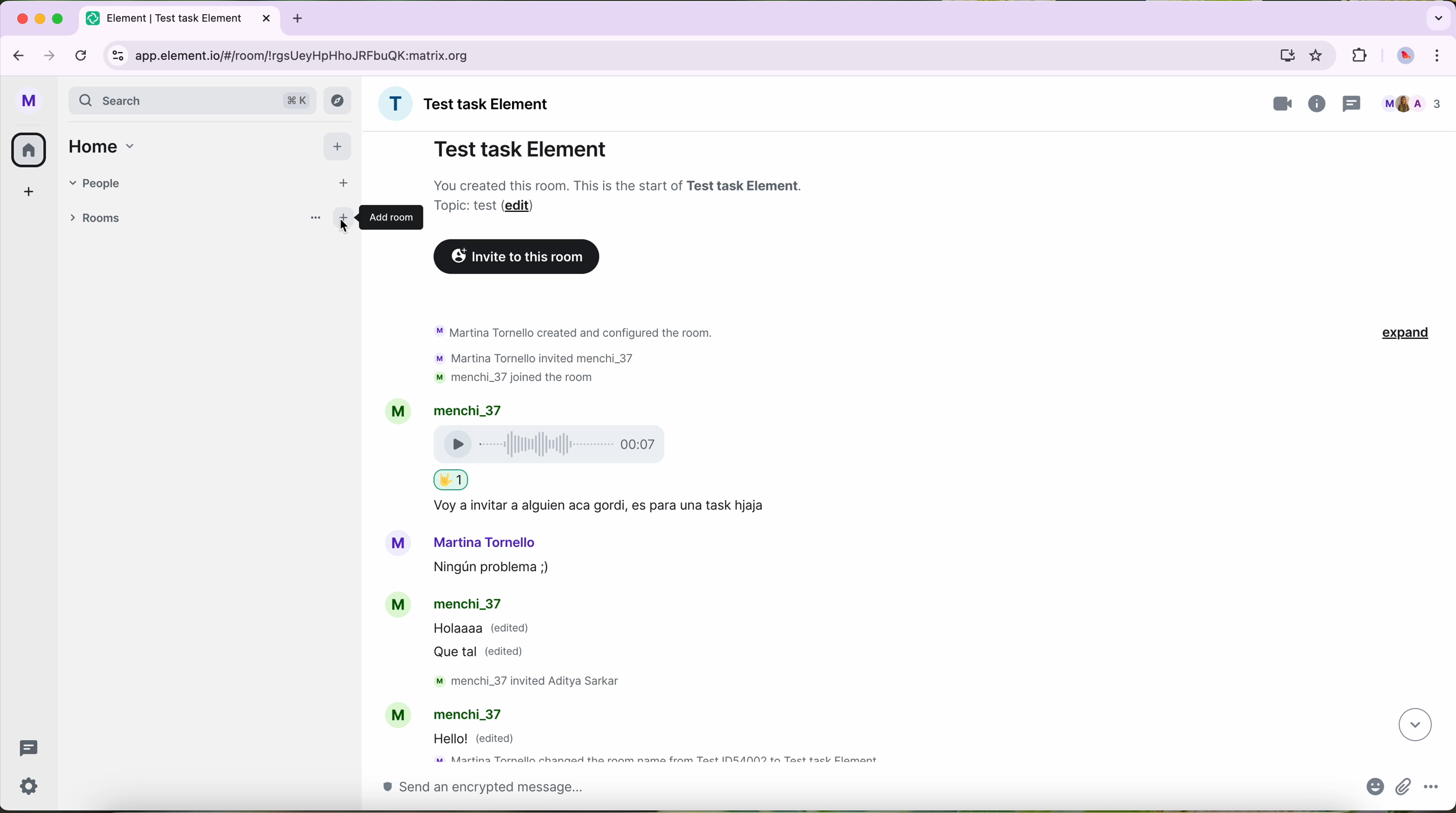 Image resolution: width=1456 pixels, height=813 pixels. Describe the element at coordinates (1411, 103) in the screenshot. I see `people` at that location.